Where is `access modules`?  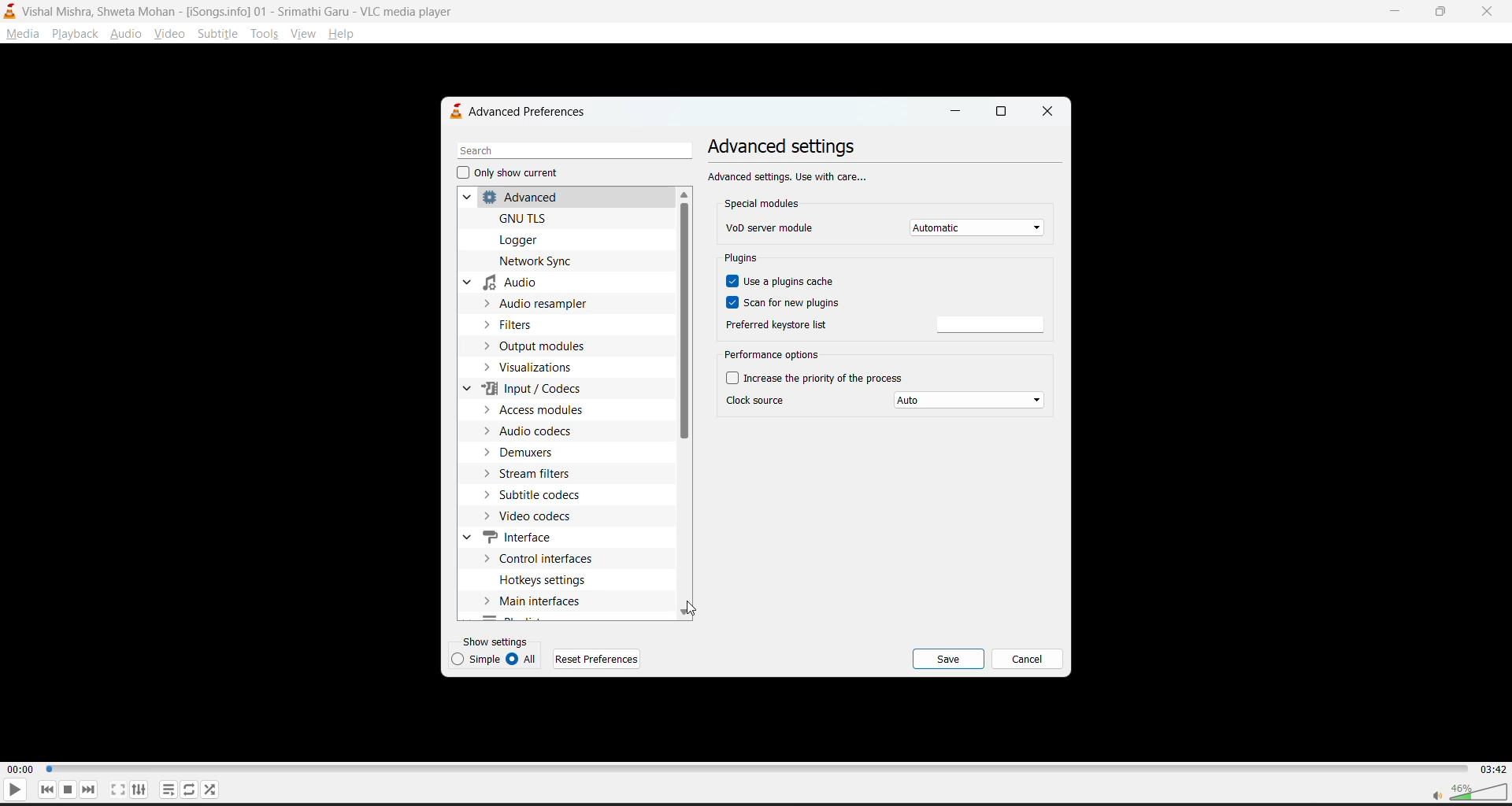 access modules is located at coordinates (544, 411).